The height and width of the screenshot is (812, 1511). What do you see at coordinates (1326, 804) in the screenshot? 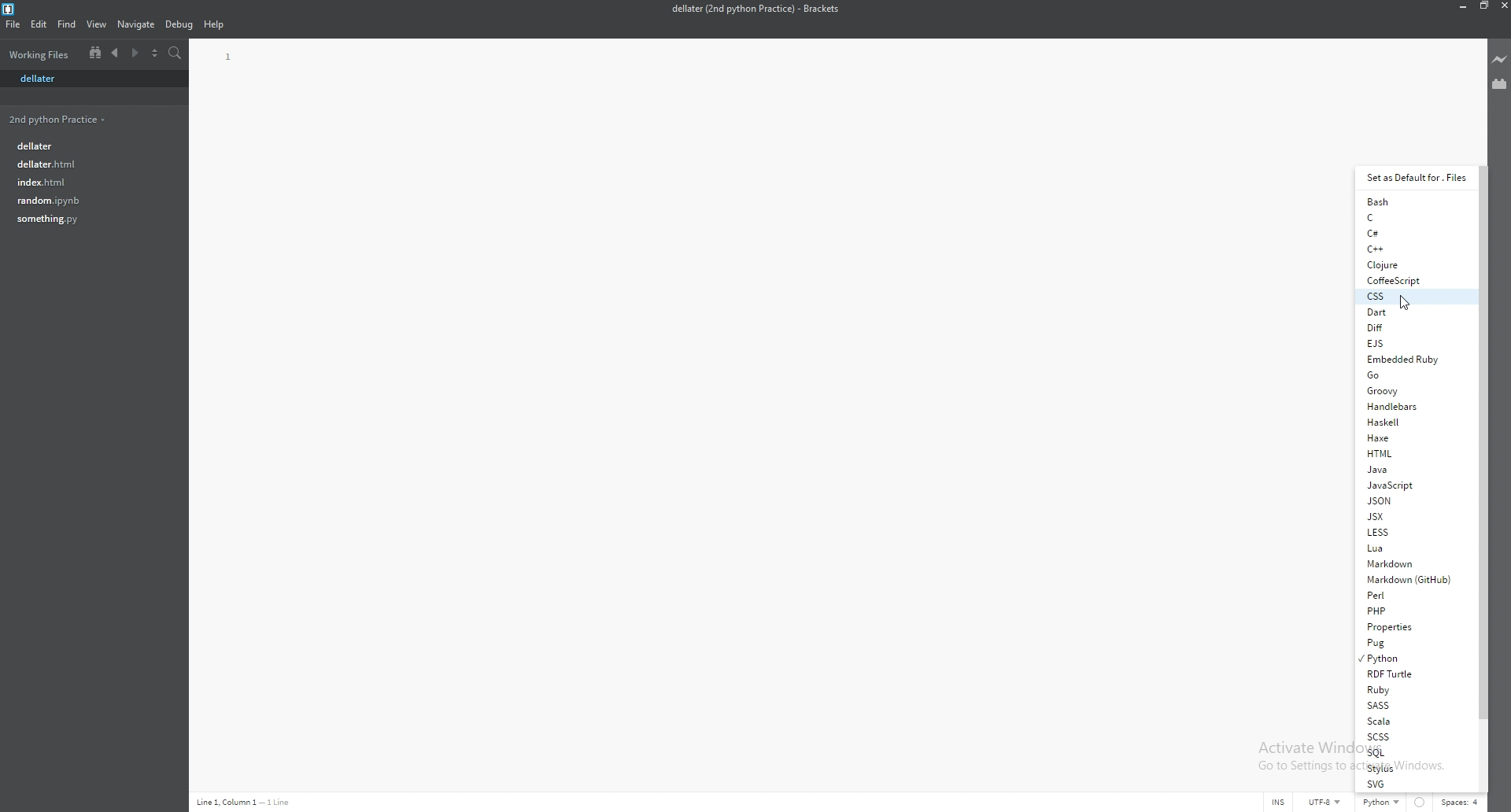
I see `utf-8` at bounding box center [1326, 804].